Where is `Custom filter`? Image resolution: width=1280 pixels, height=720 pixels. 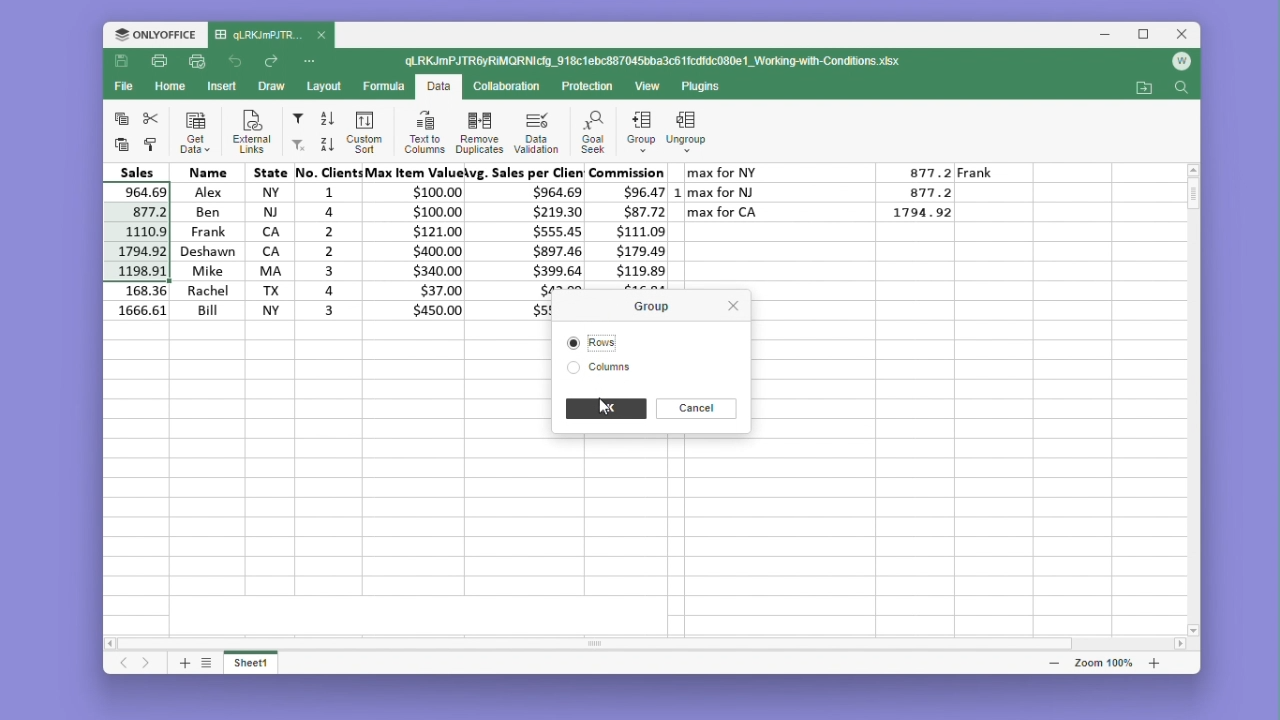
Custom filter is located at coordinates (296, 145).